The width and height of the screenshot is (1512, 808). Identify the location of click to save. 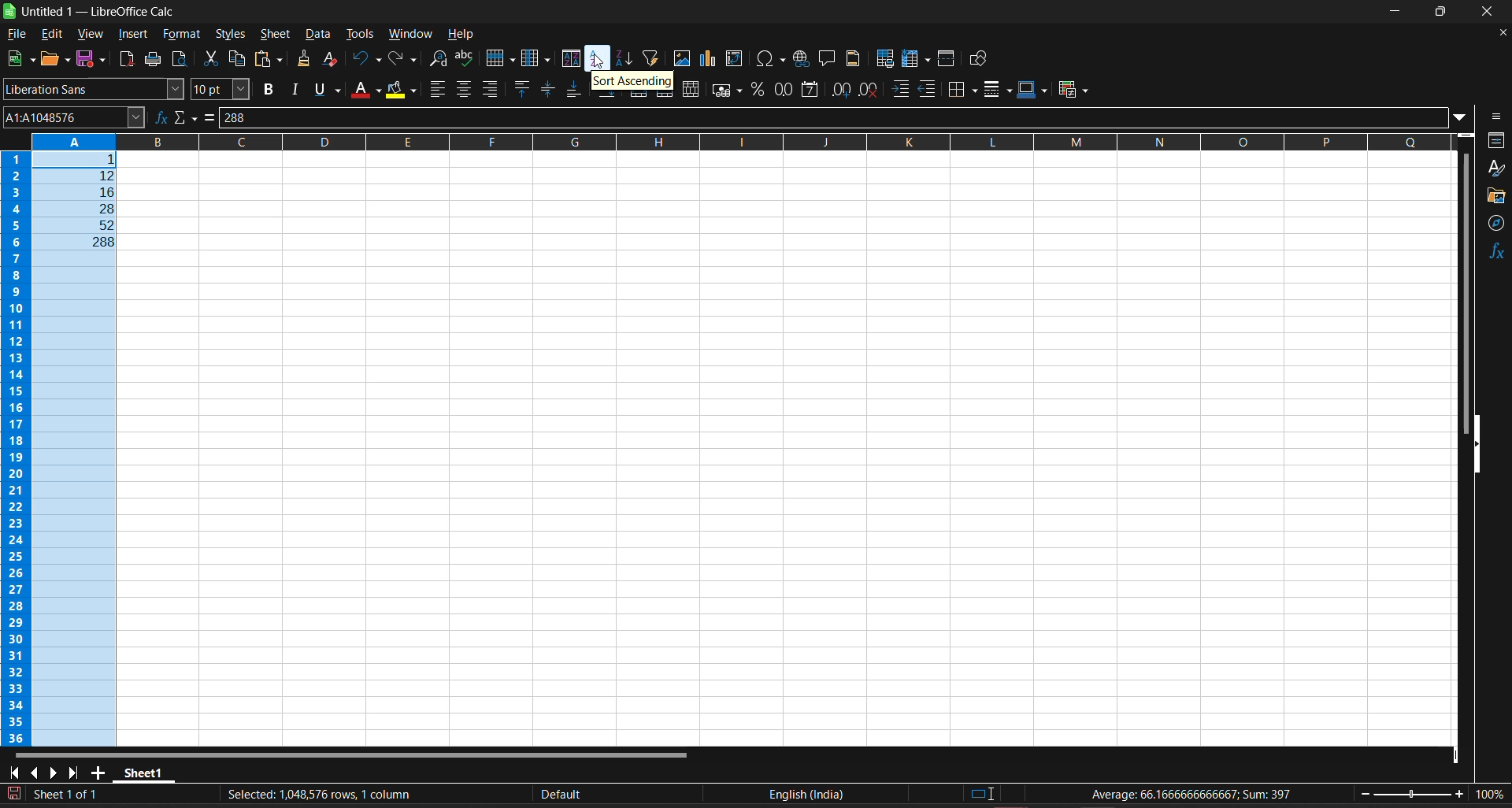
(17, 793).